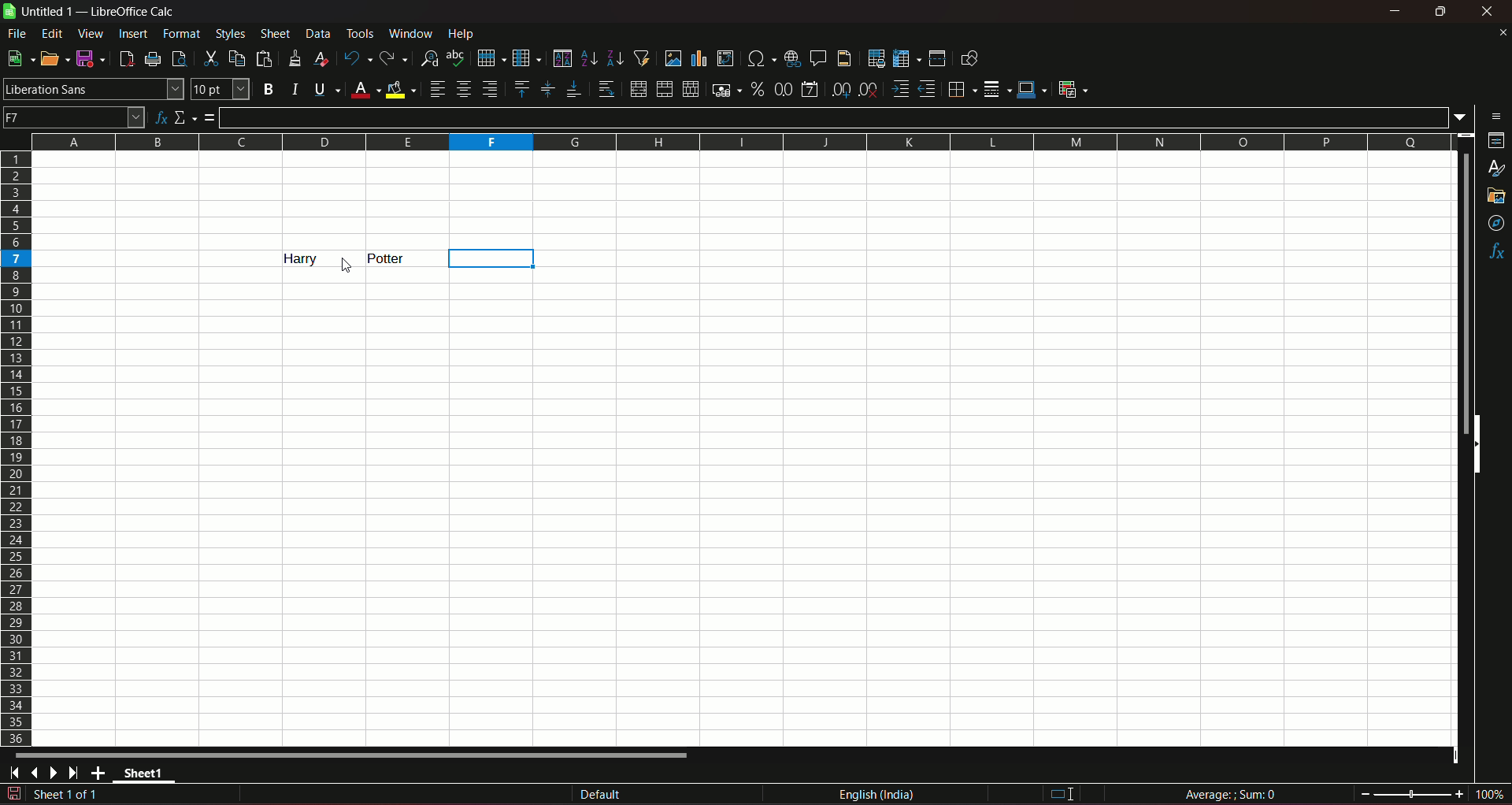 The width and height of the screenshot is (1512, 805). Describe the element at coordinates (726, 57) in the screenshot. I see `insert or edit pivot table` at that location.